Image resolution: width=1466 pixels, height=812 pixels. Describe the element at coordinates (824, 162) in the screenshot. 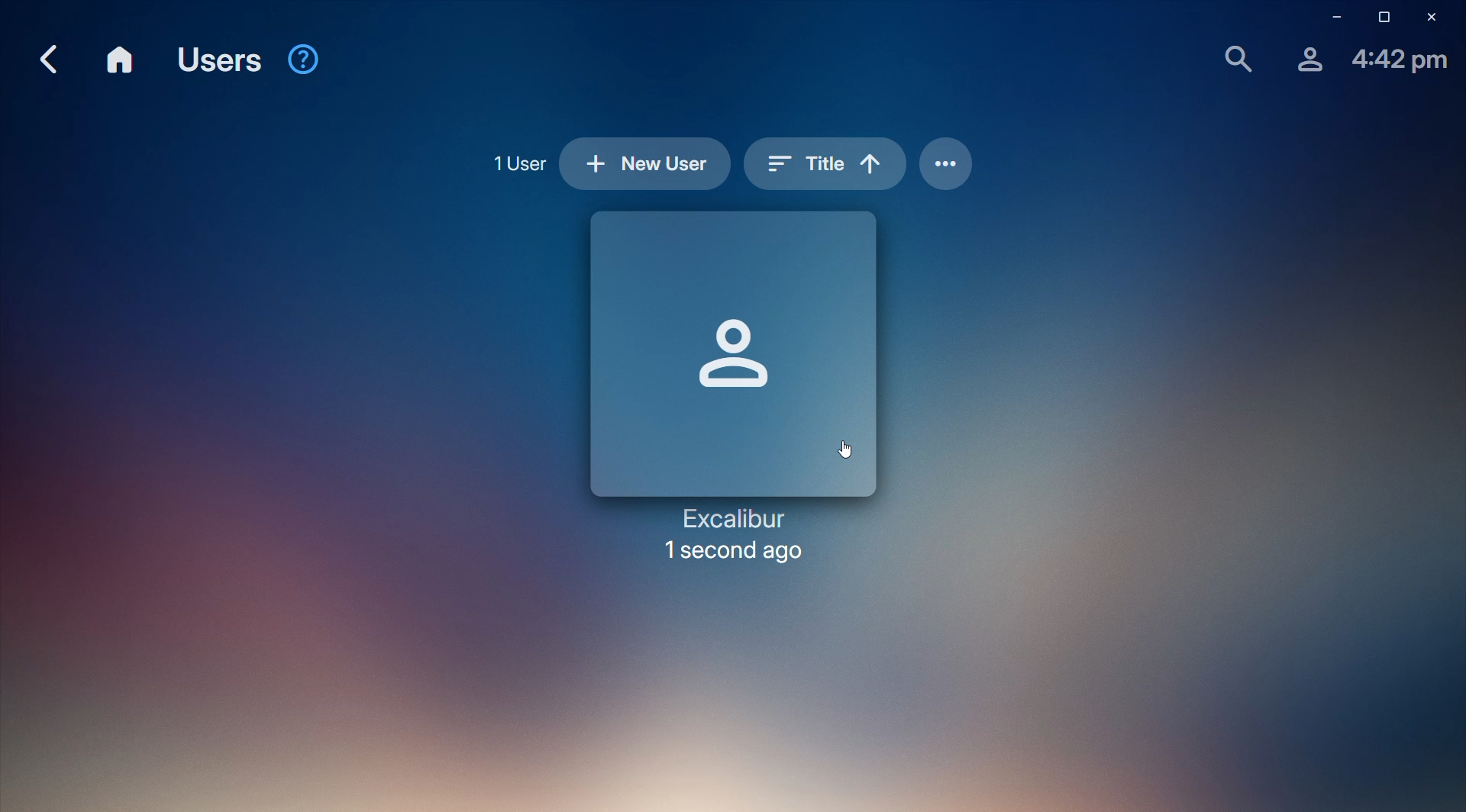

I see `Filter by` at that location.